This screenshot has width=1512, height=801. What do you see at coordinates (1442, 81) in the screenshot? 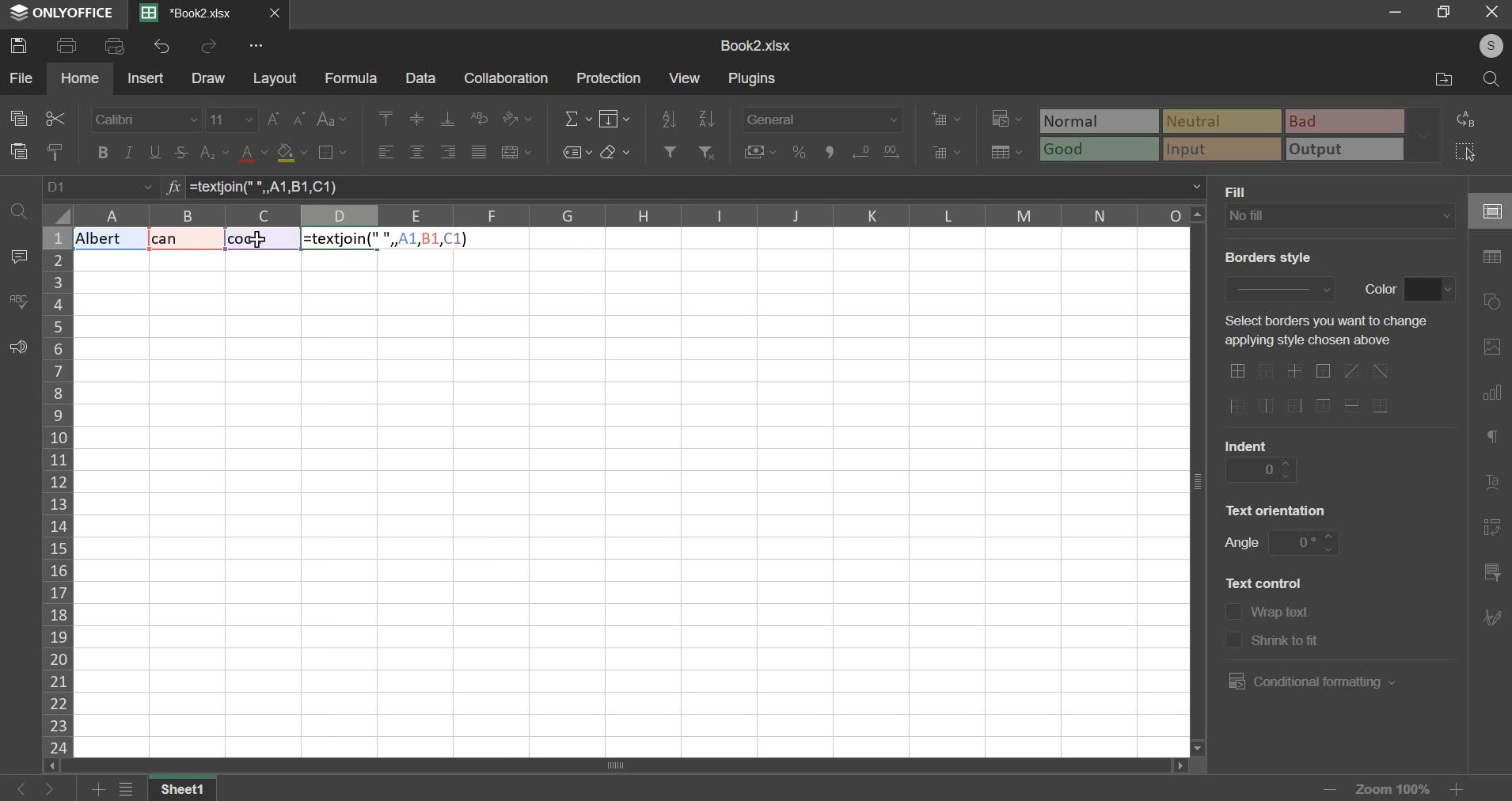
I see `file location` at bounding box center [1442, 81].